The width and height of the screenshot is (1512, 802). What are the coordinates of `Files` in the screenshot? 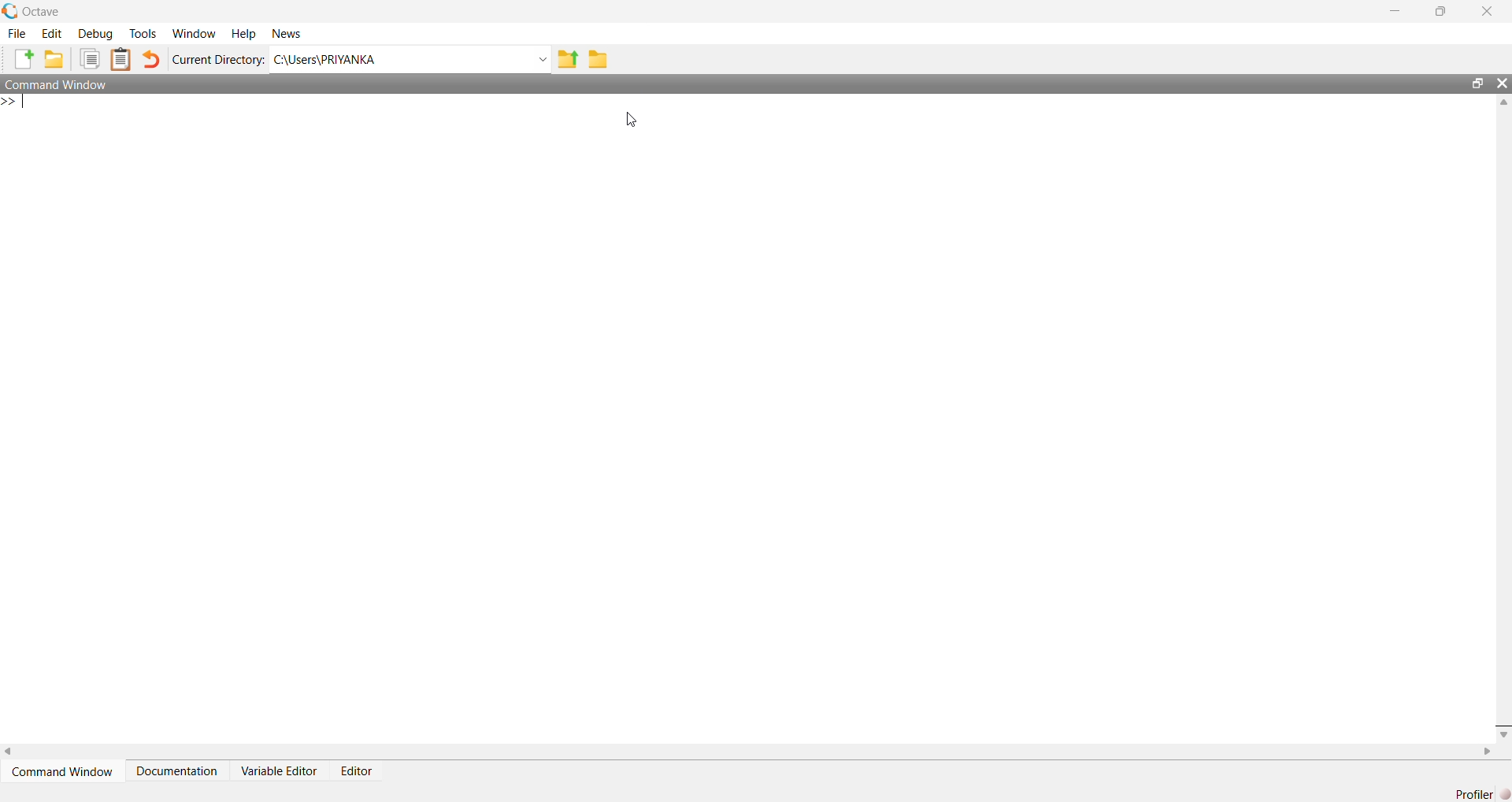 It's located at (91, 60).